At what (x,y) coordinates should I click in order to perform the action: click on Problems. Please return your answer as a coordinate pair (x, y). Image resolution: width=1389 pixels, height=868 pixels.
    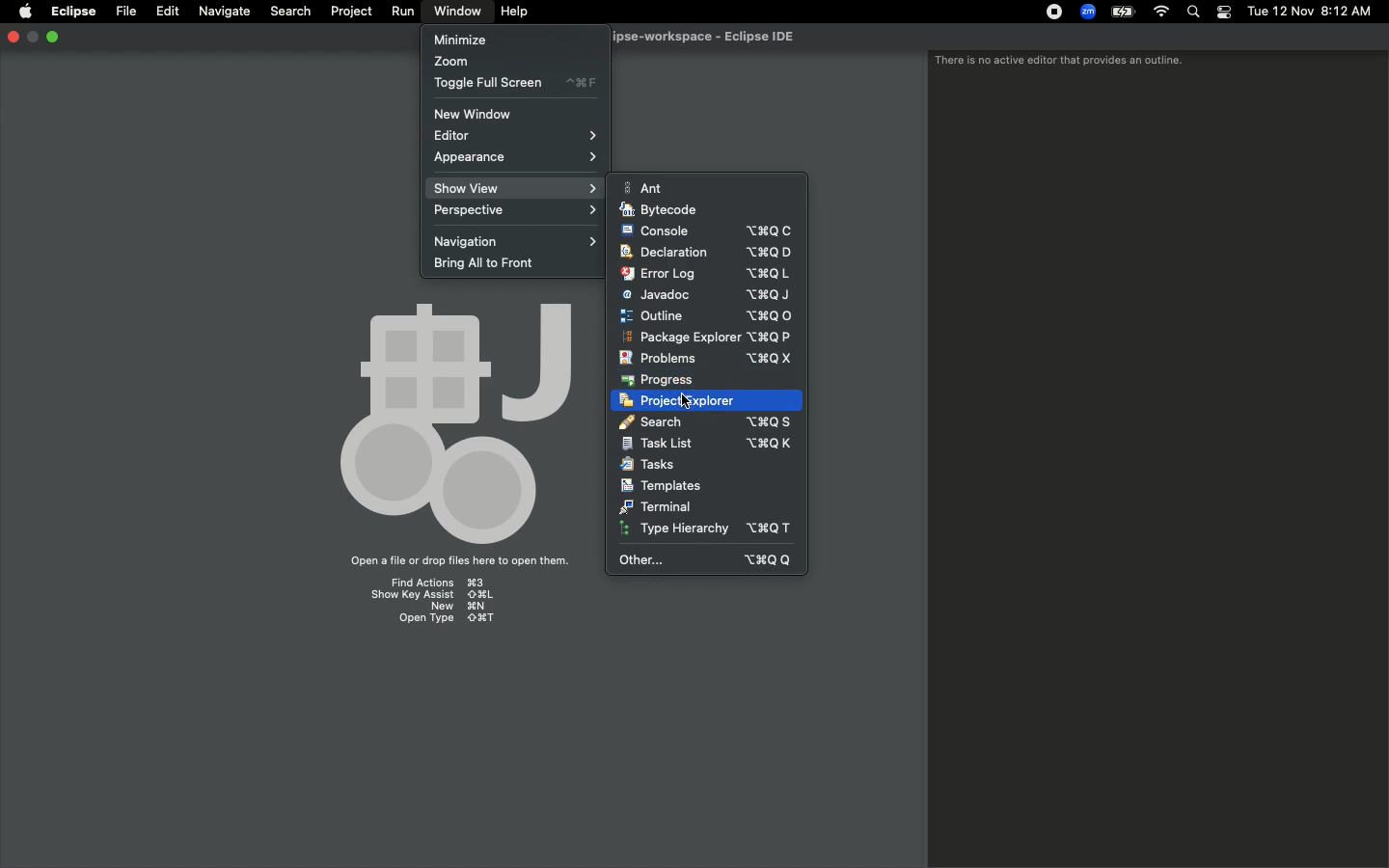
    Looking at the image, I should click on (710, 358).